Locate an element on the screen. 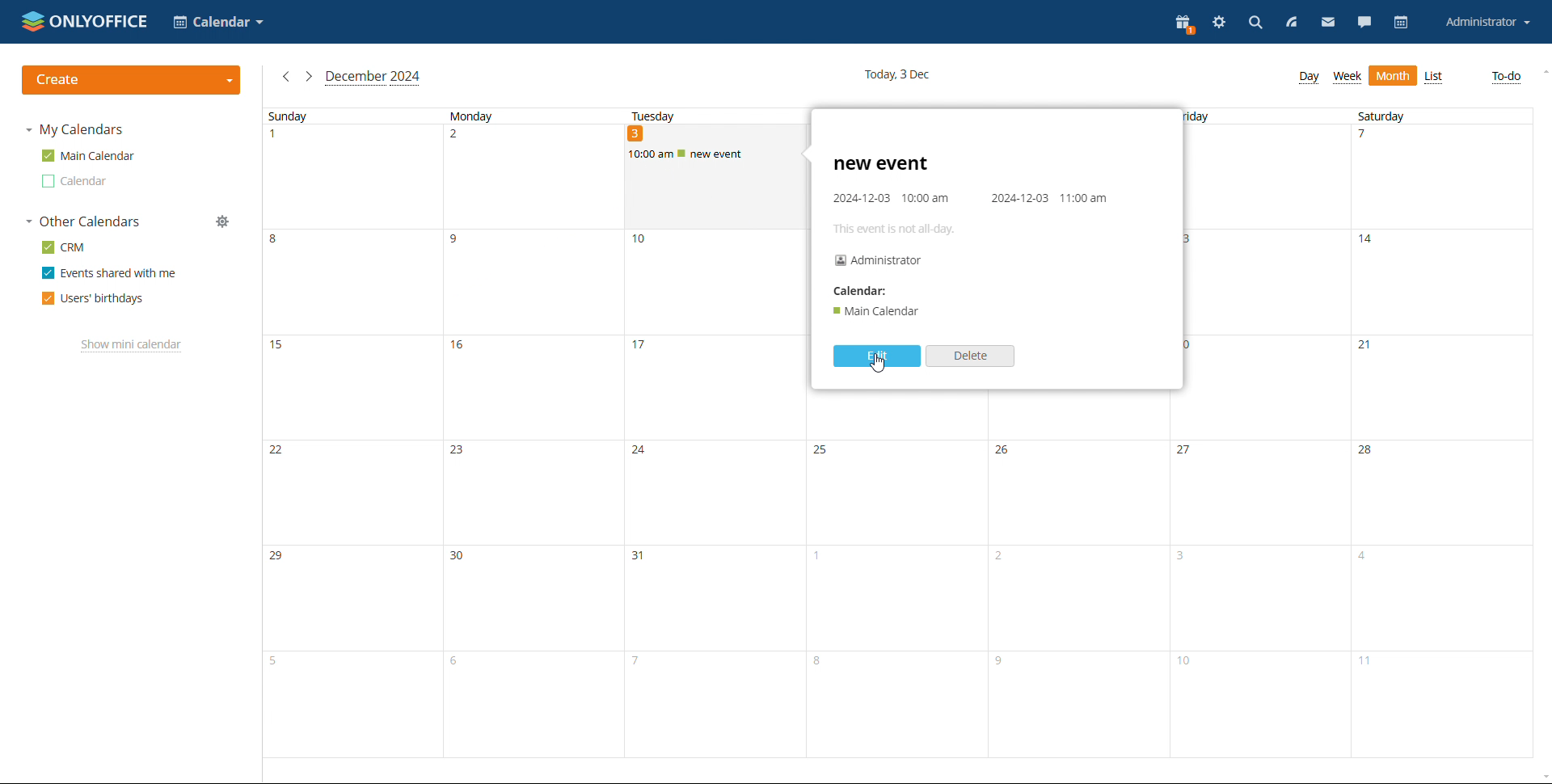 The width and height of the screenshot is (1552, 784). 30 is located at coordinates (531, 599).